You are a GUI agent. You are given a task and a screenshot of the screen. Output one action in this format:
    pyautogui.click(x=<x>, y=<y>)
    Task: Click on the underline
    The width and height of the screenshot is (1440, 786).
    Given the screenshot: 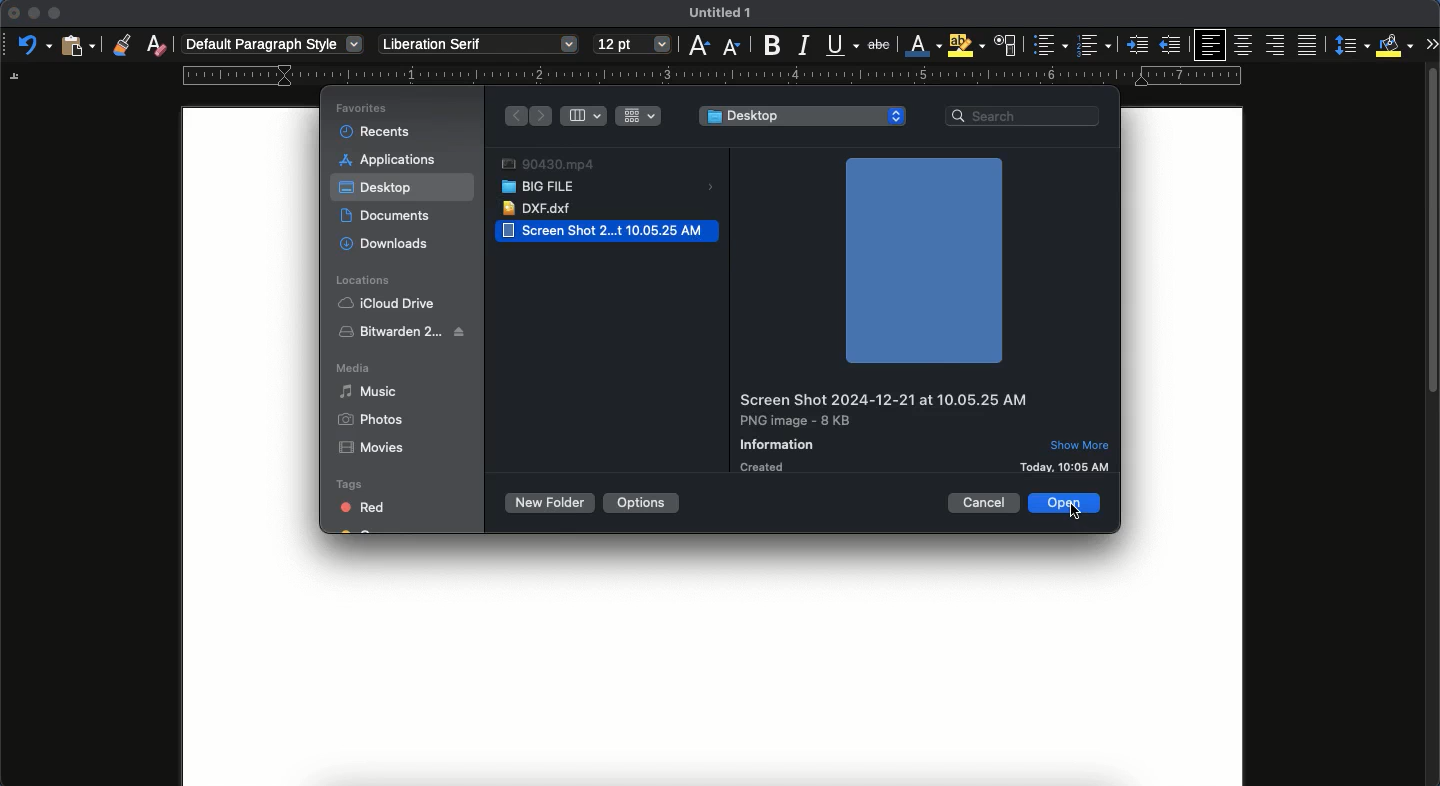 What is the action you would take?
    pyautogui.click(x=841, y=44)
    